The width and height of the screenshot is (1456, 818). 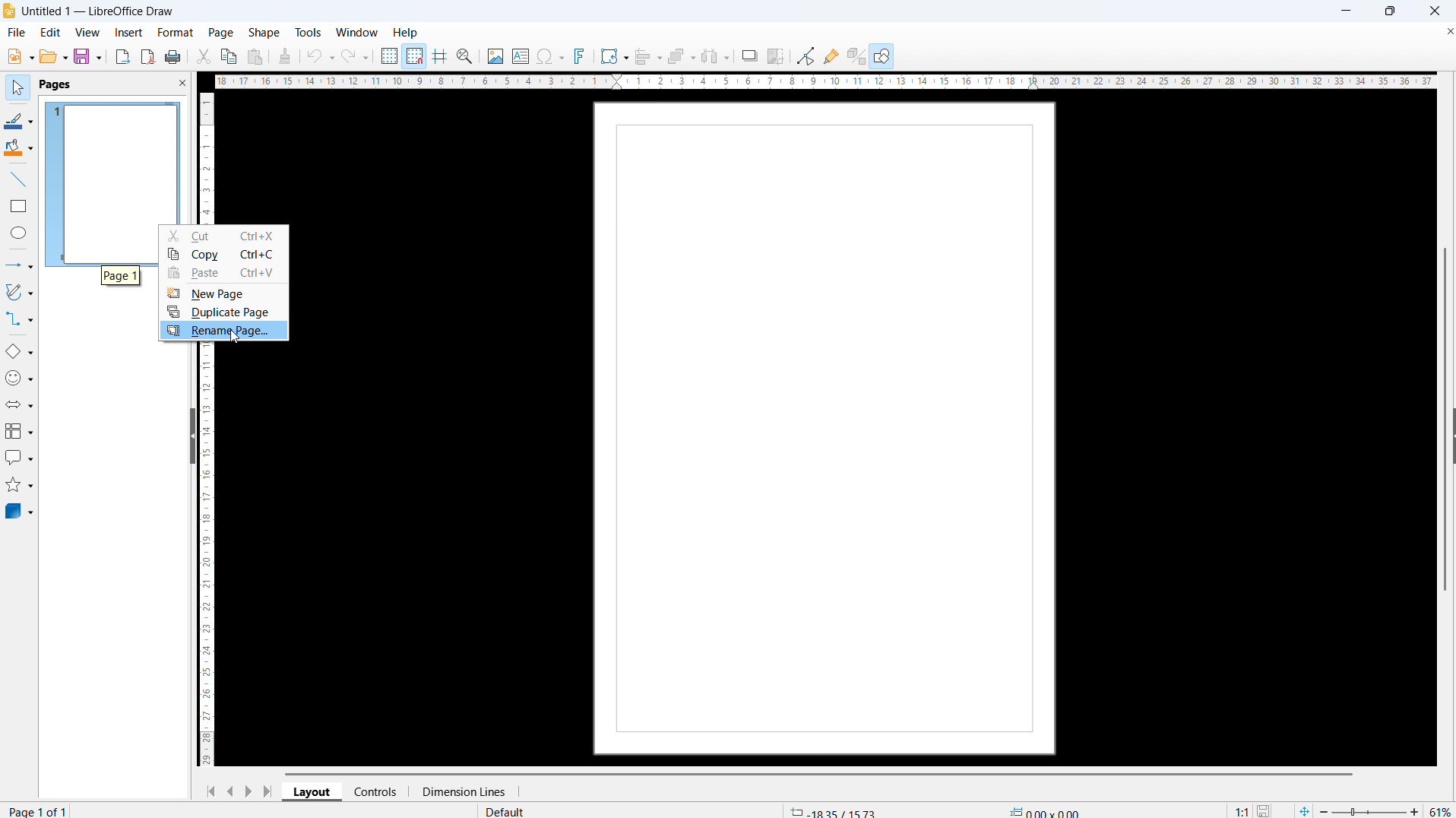 What do you see at coordinates (833, 810) in the screenshot?
I see `cursor coordinate` at bounding box center [833, 810].